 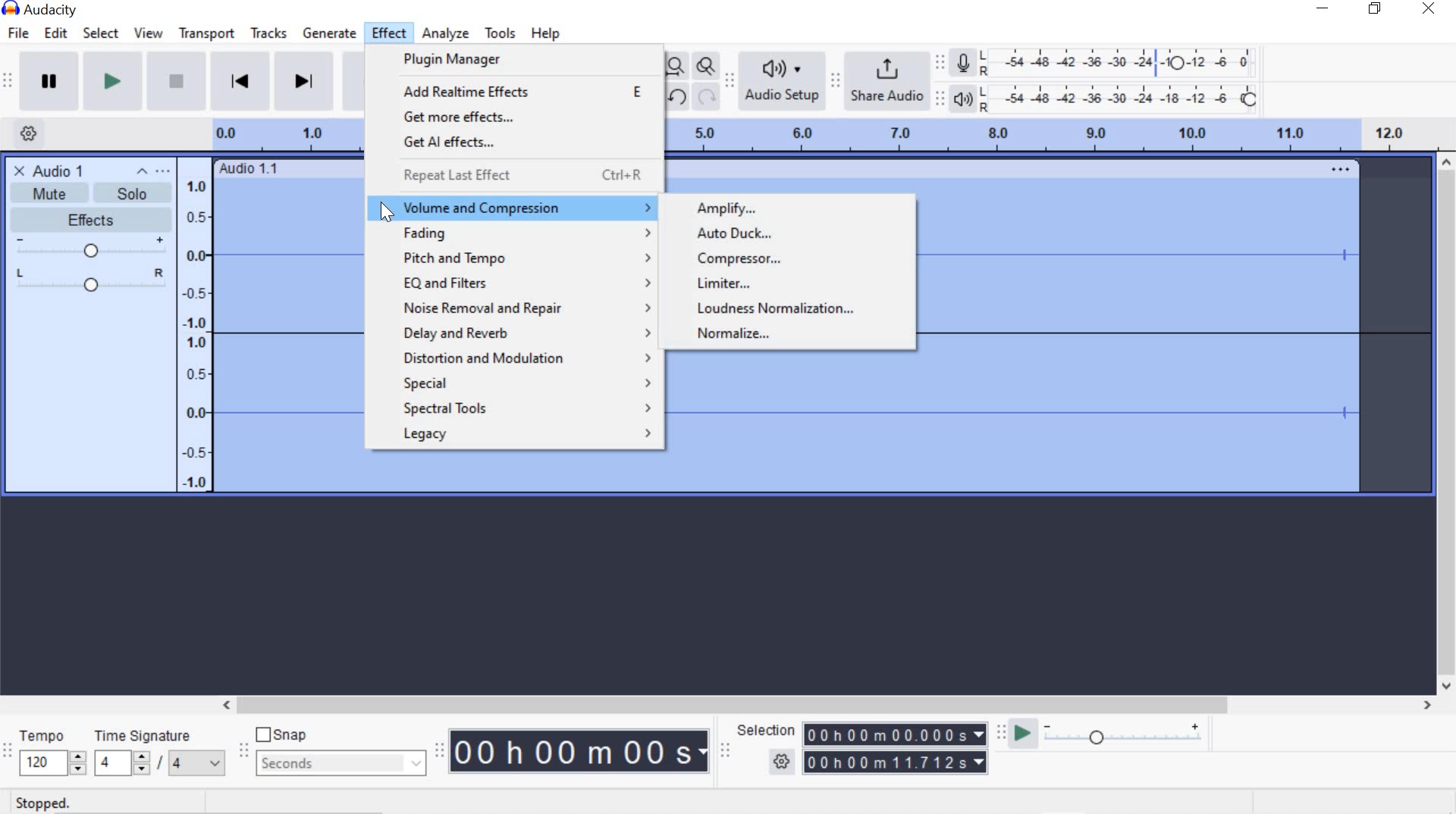 What do you see at coordinates (42, 803) in the screenshot?
I see `STOPPED` at bounding box center [42, 803].